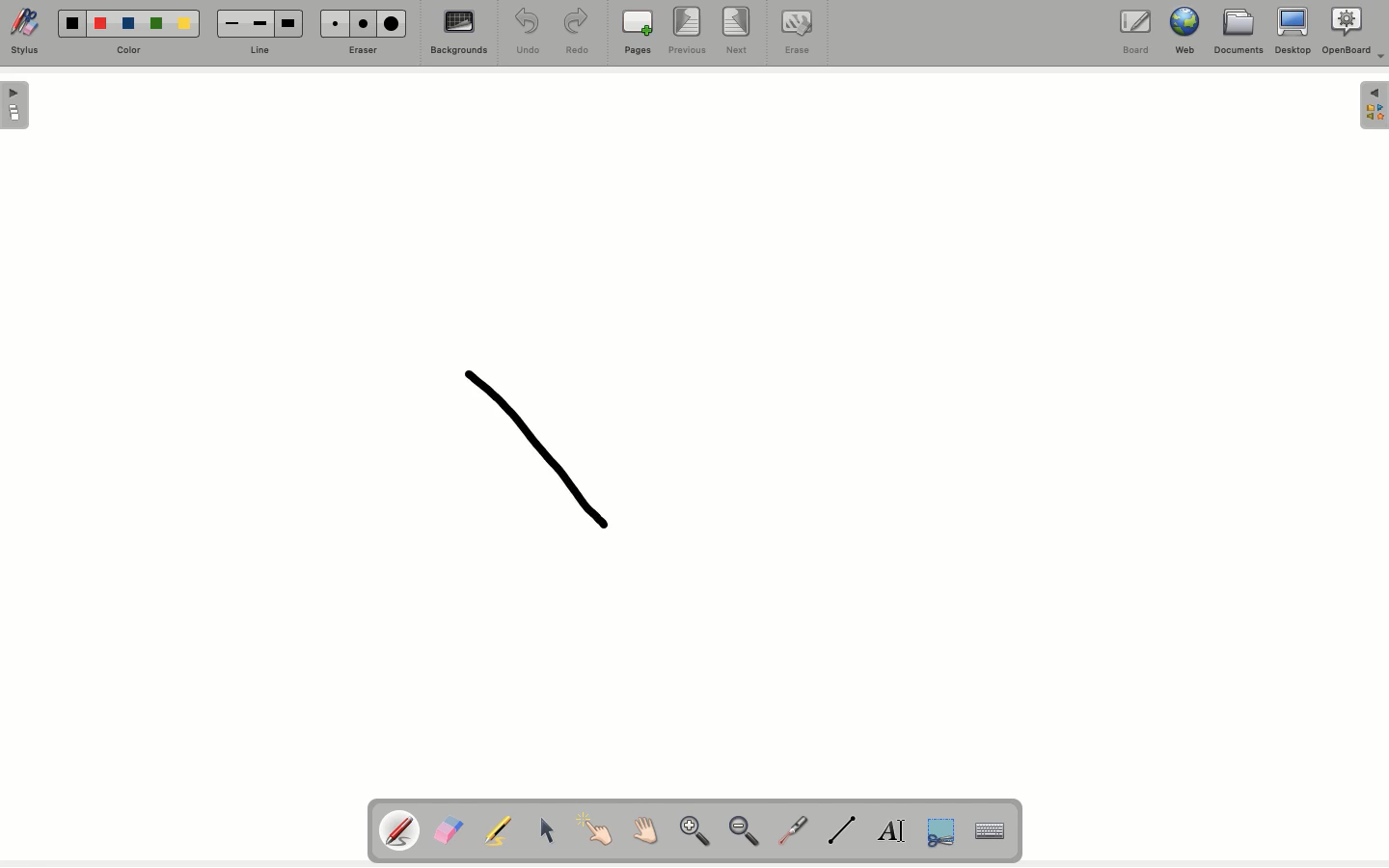 The image size is (1389, 868). What do you see at coordinates (362, 51) in the screenshot?
I see `Erase` at bounding box center [362, 51].